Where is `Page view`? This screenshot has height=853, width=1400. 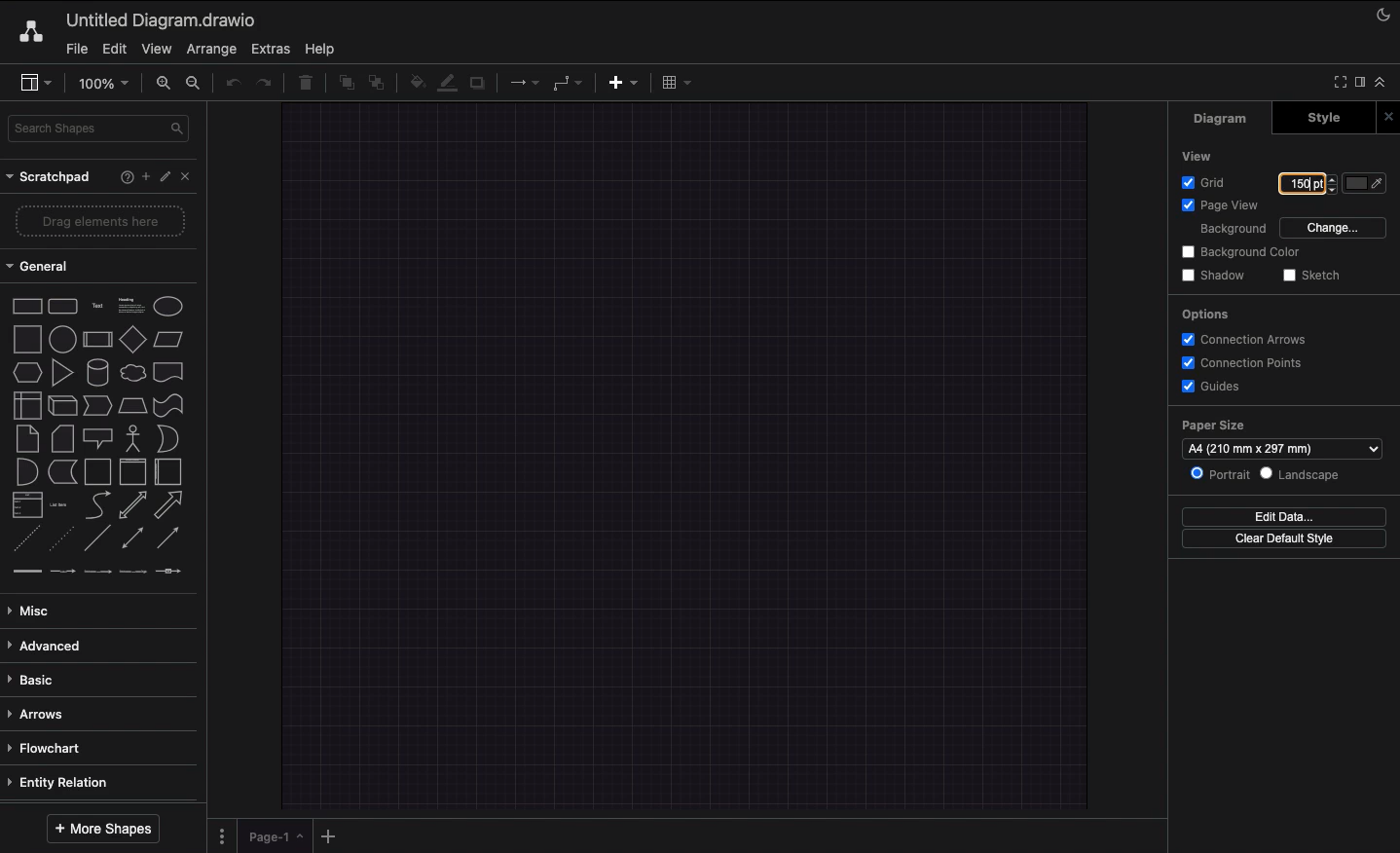
Page view is located at coordinates (1221, 206).